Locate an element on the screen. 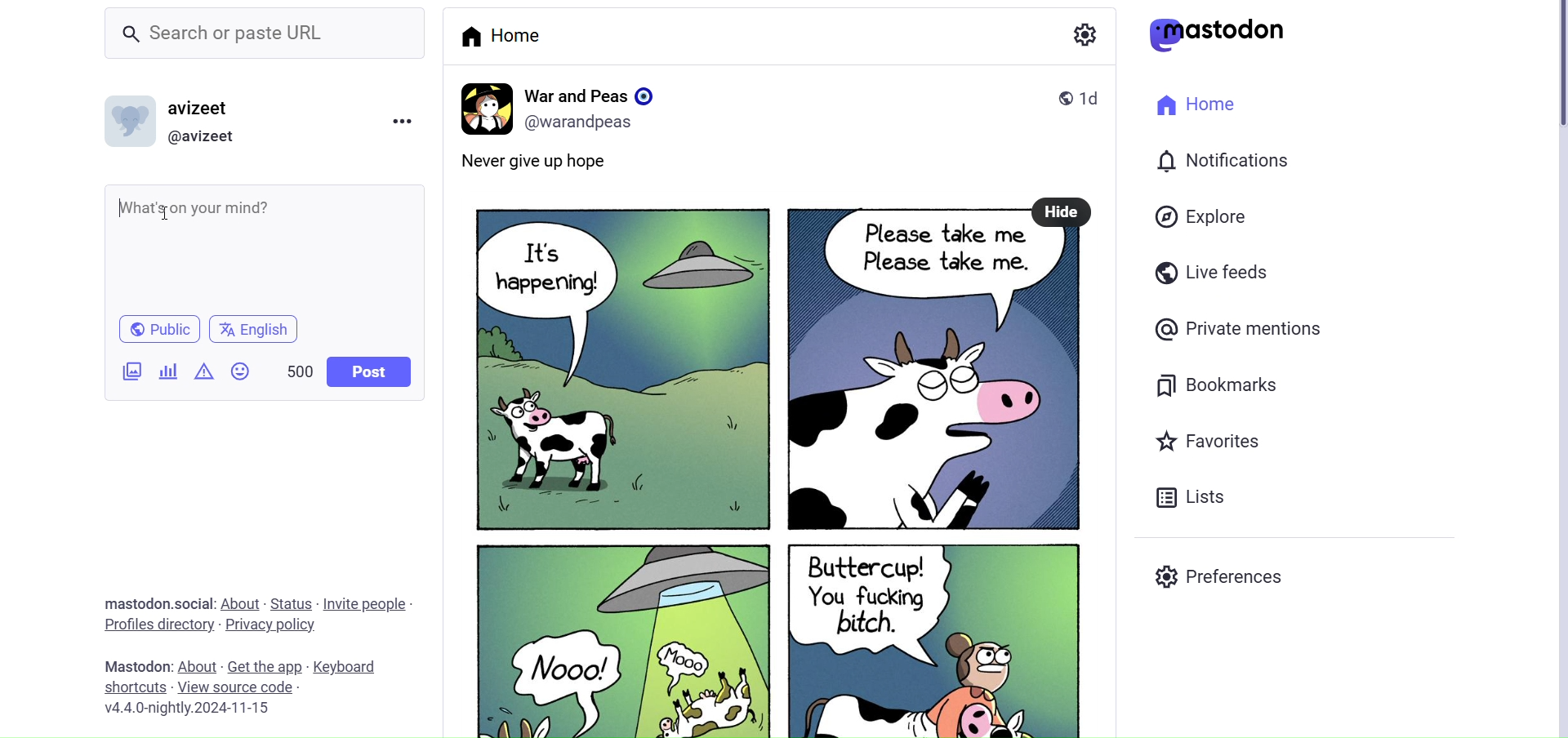  Privacy Policy is located at coordinates (272, 625).